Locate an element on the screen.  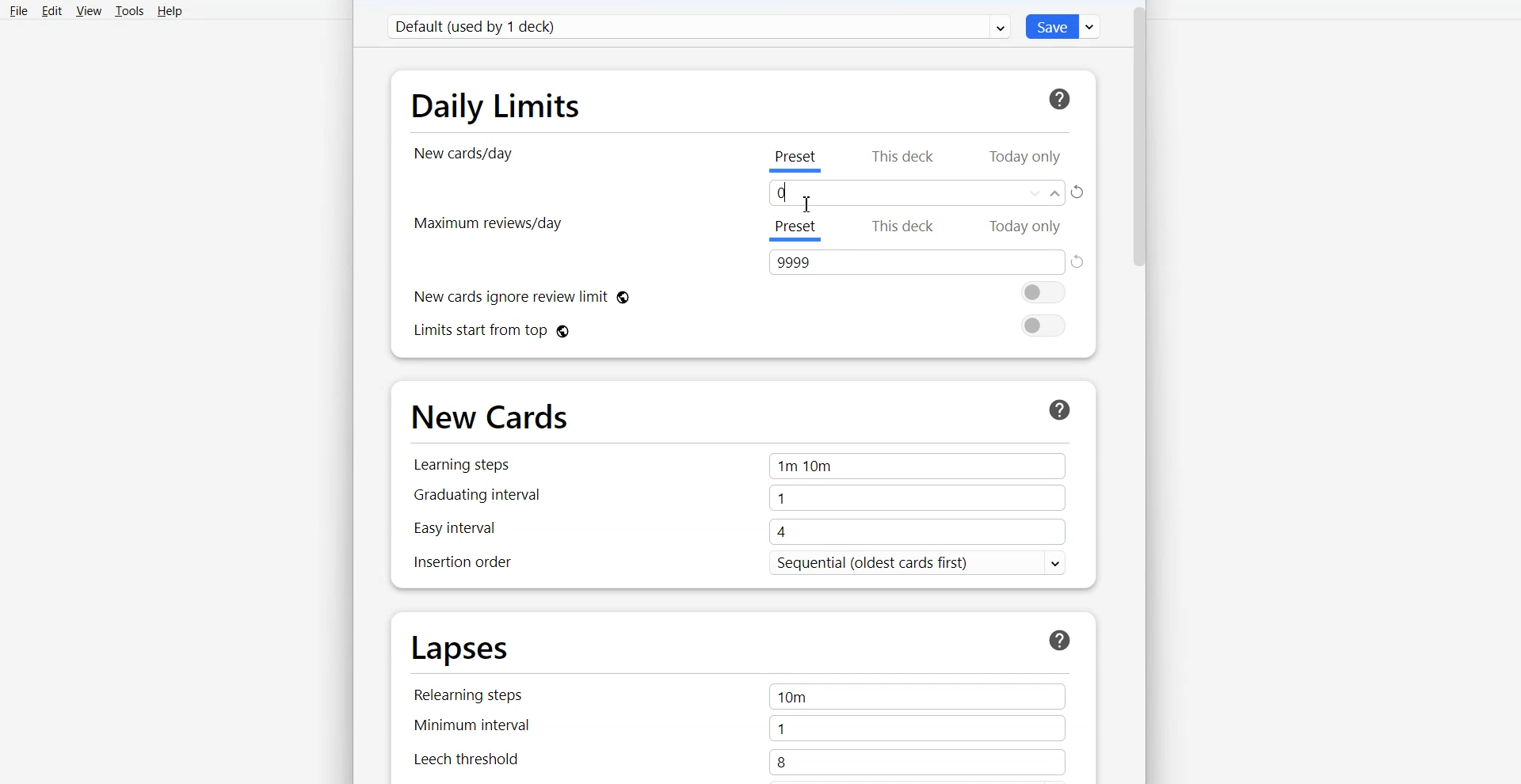
4 is located at coordinates (915, 533).